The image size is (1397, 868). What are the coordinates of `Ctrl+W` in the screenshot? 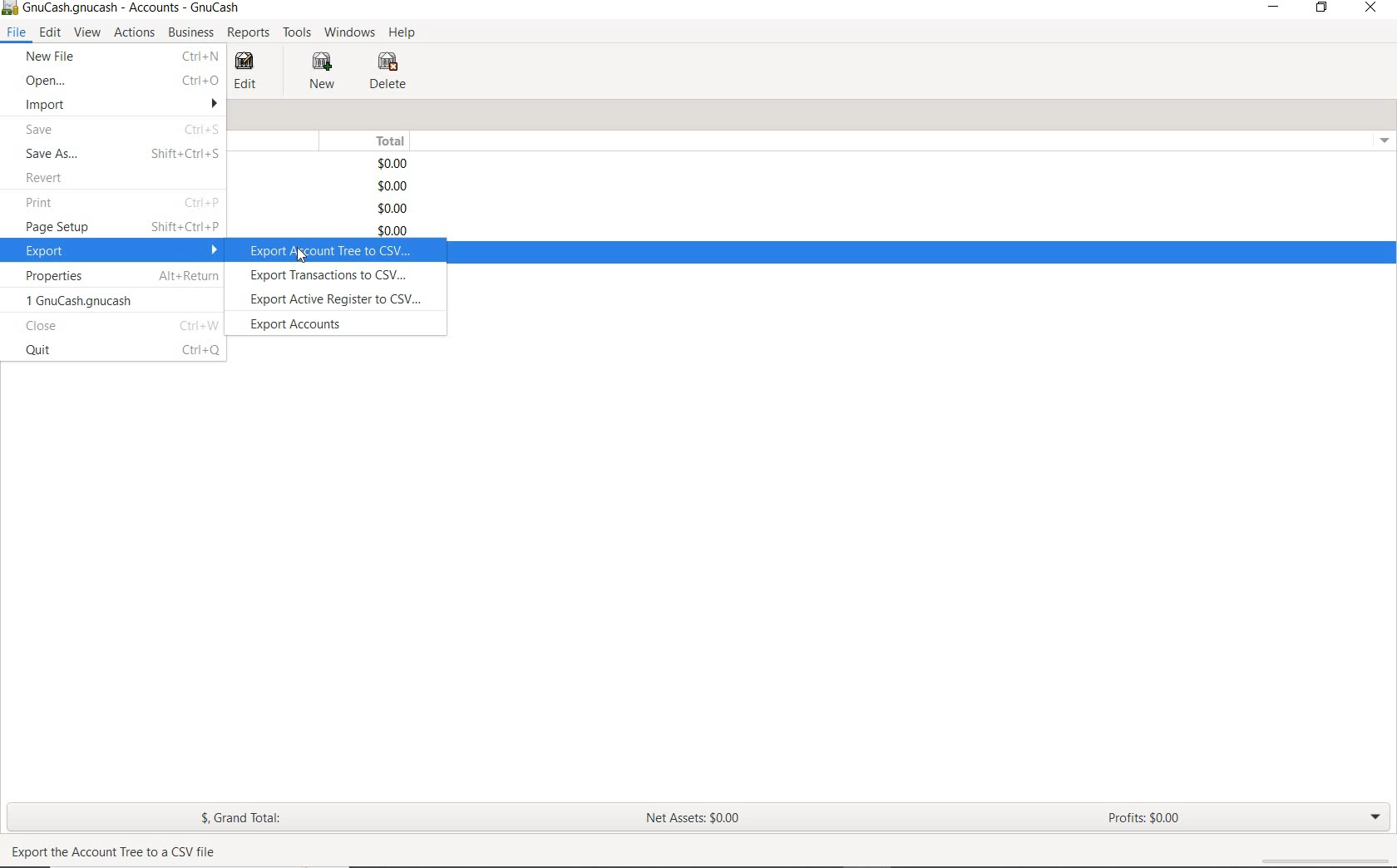 It's located at (197, 325).